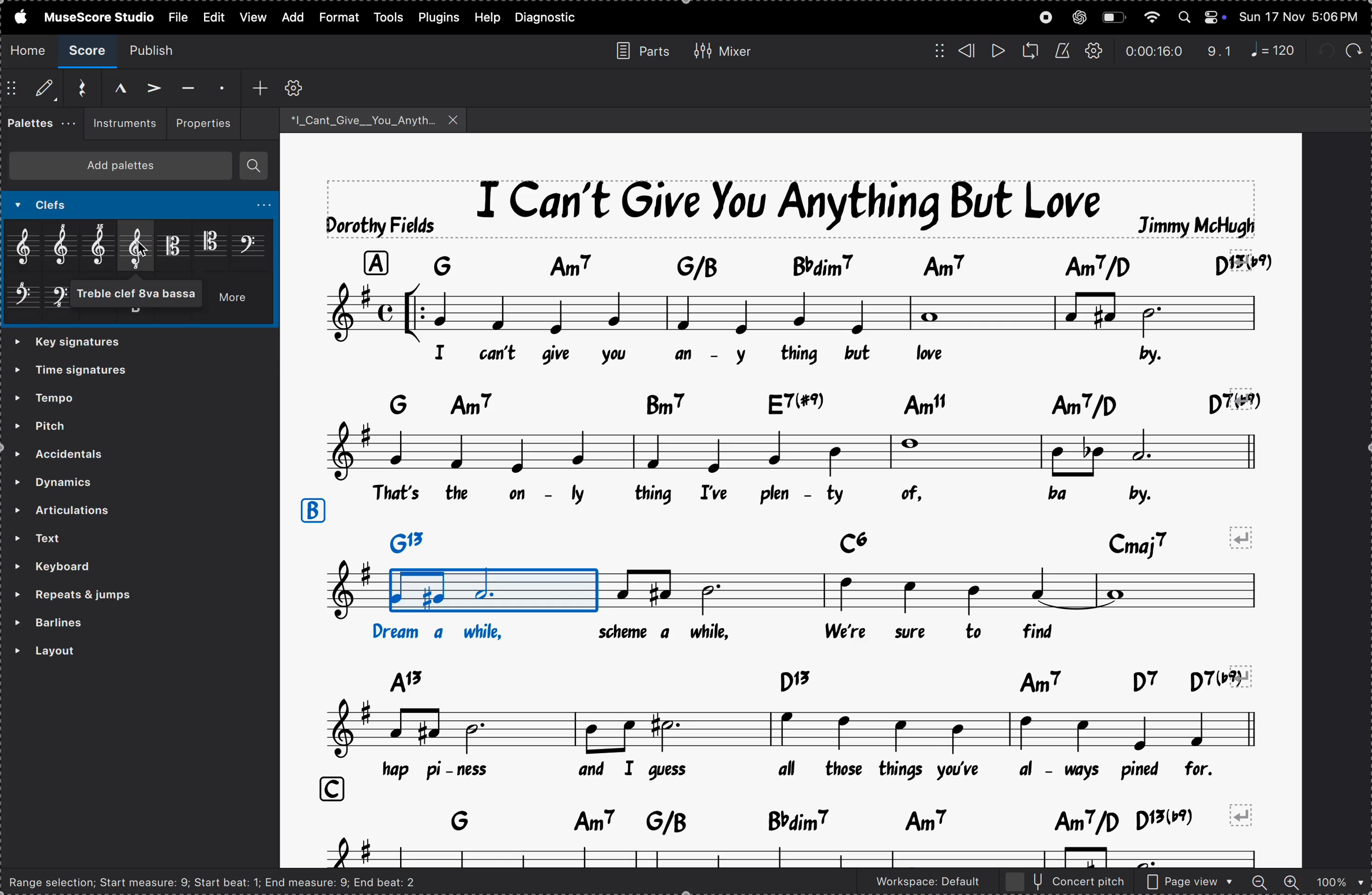 Image resolution: width=1372 pixels, height=895 pixels. What do you see at coordinates (390, 17) in the screenshot?
I see `tools` at bounding box center [390, 17].